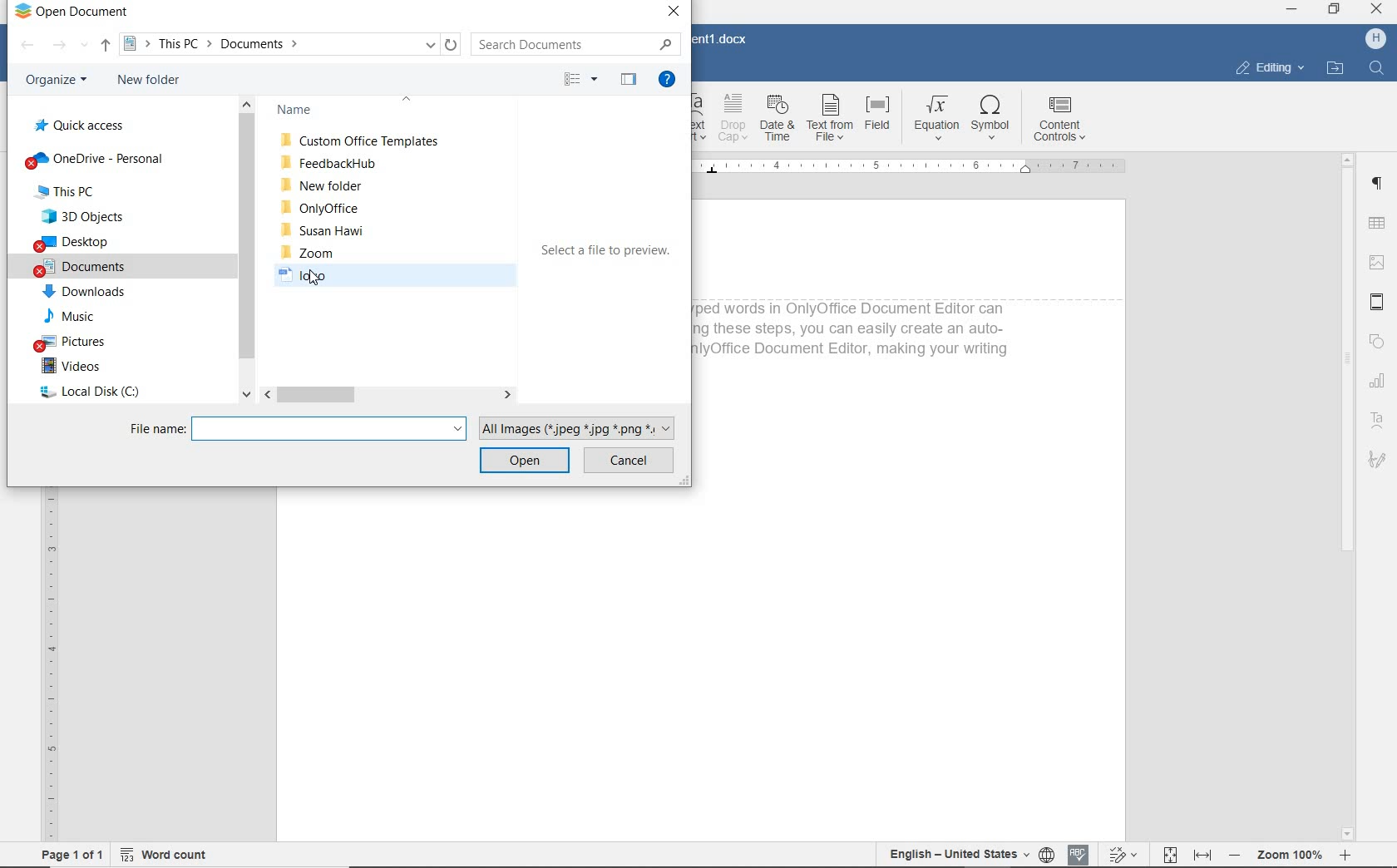  What do you see at coordinates (27, 46) in the screenshot?
I see `BACK` at bounding box center [27, 46].